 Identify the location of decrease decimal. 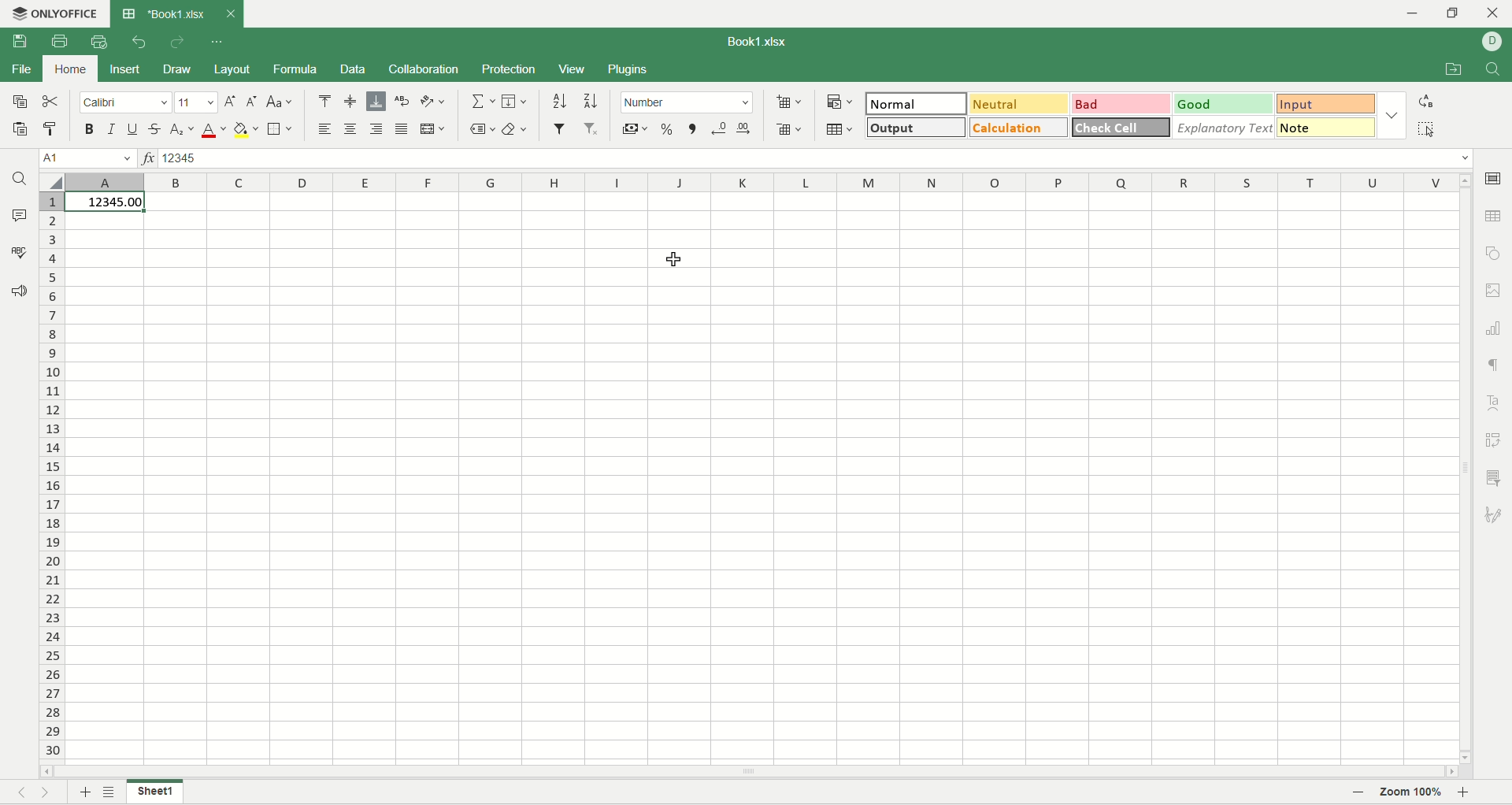
(720, 131).